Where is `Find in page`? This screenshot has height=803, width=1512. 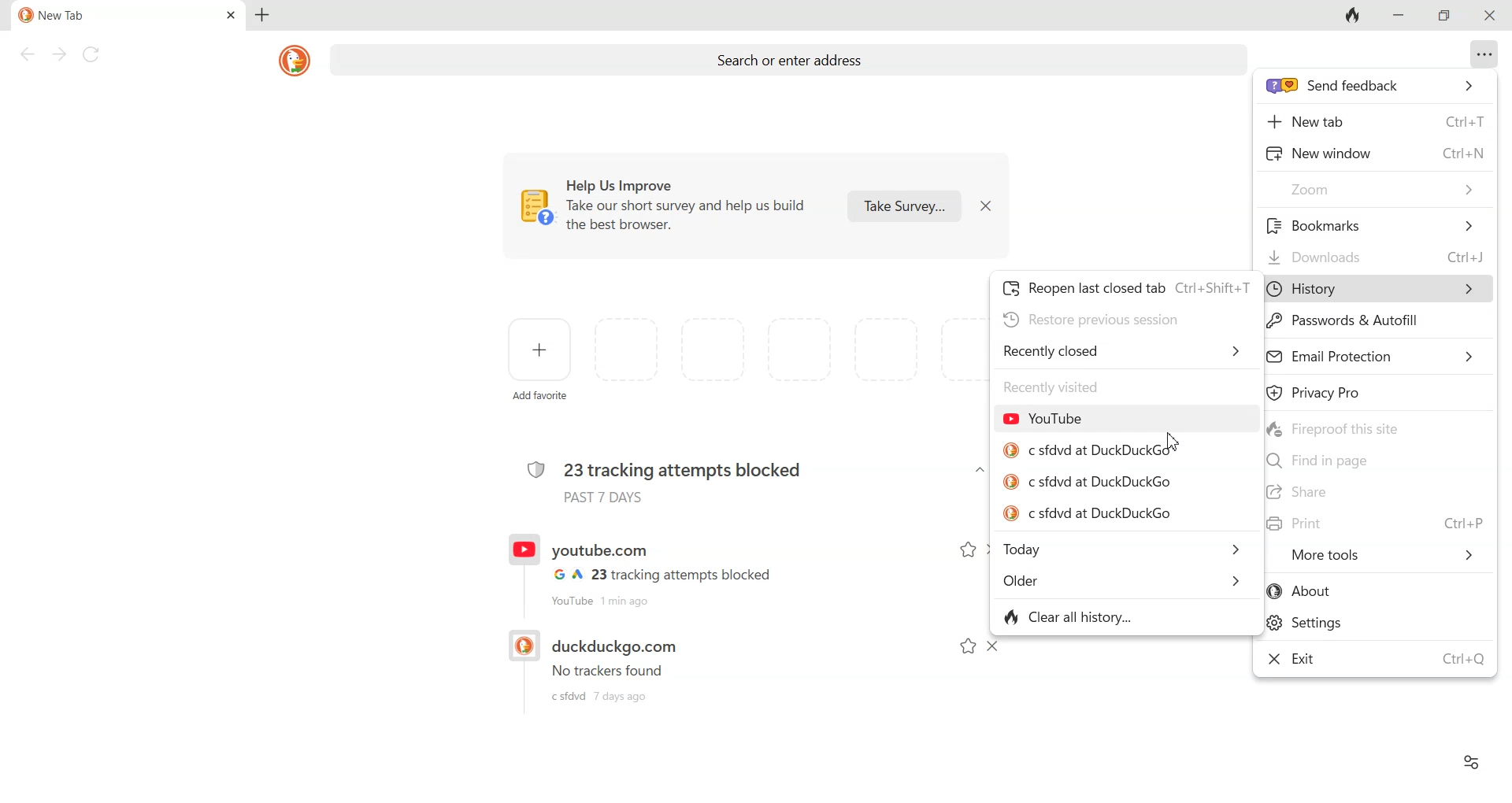 Find in page is located at coordinates (1375, 461).